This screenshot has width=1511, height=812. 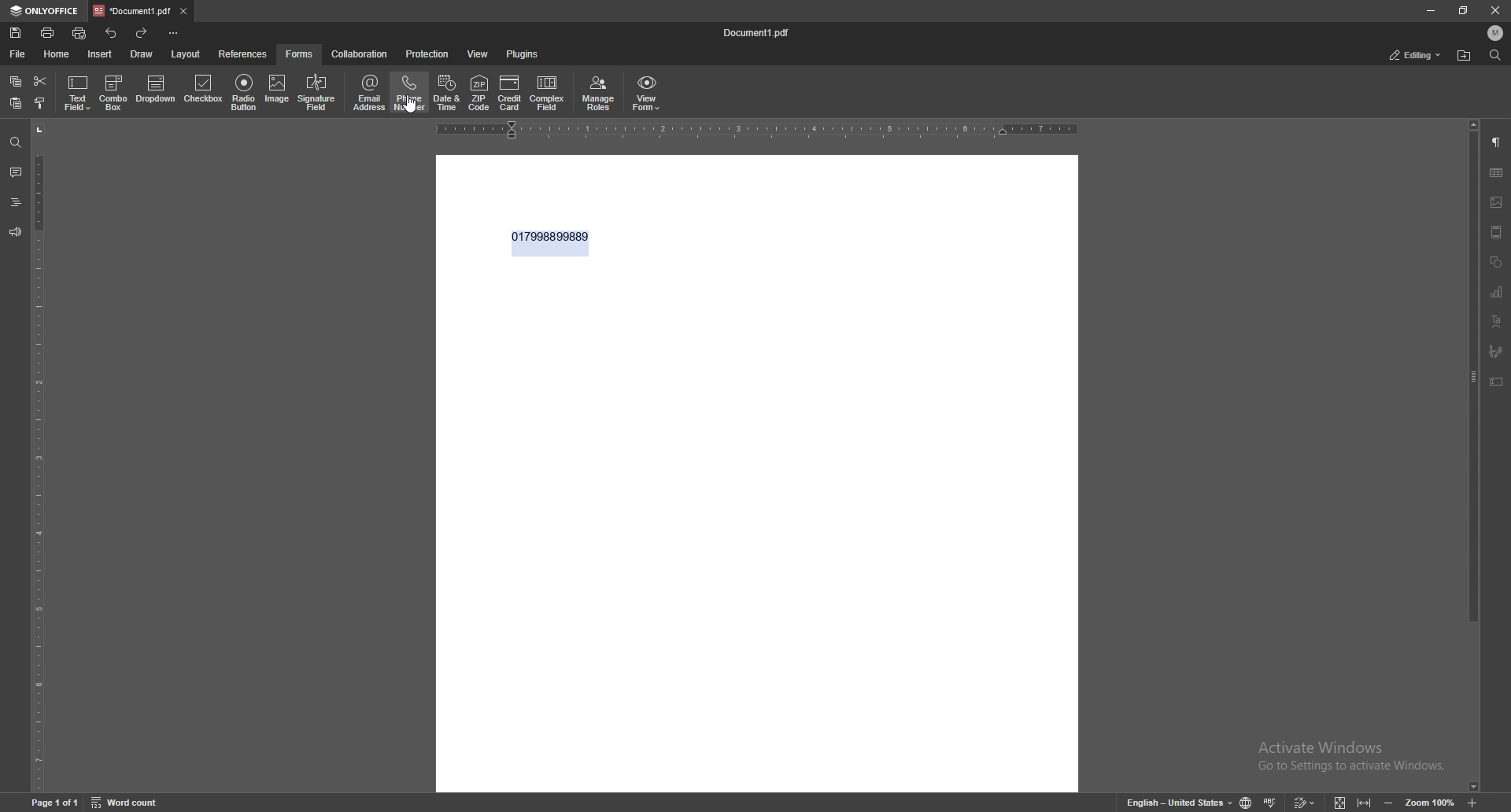 I want to click on home, so click(x=58, y=54).